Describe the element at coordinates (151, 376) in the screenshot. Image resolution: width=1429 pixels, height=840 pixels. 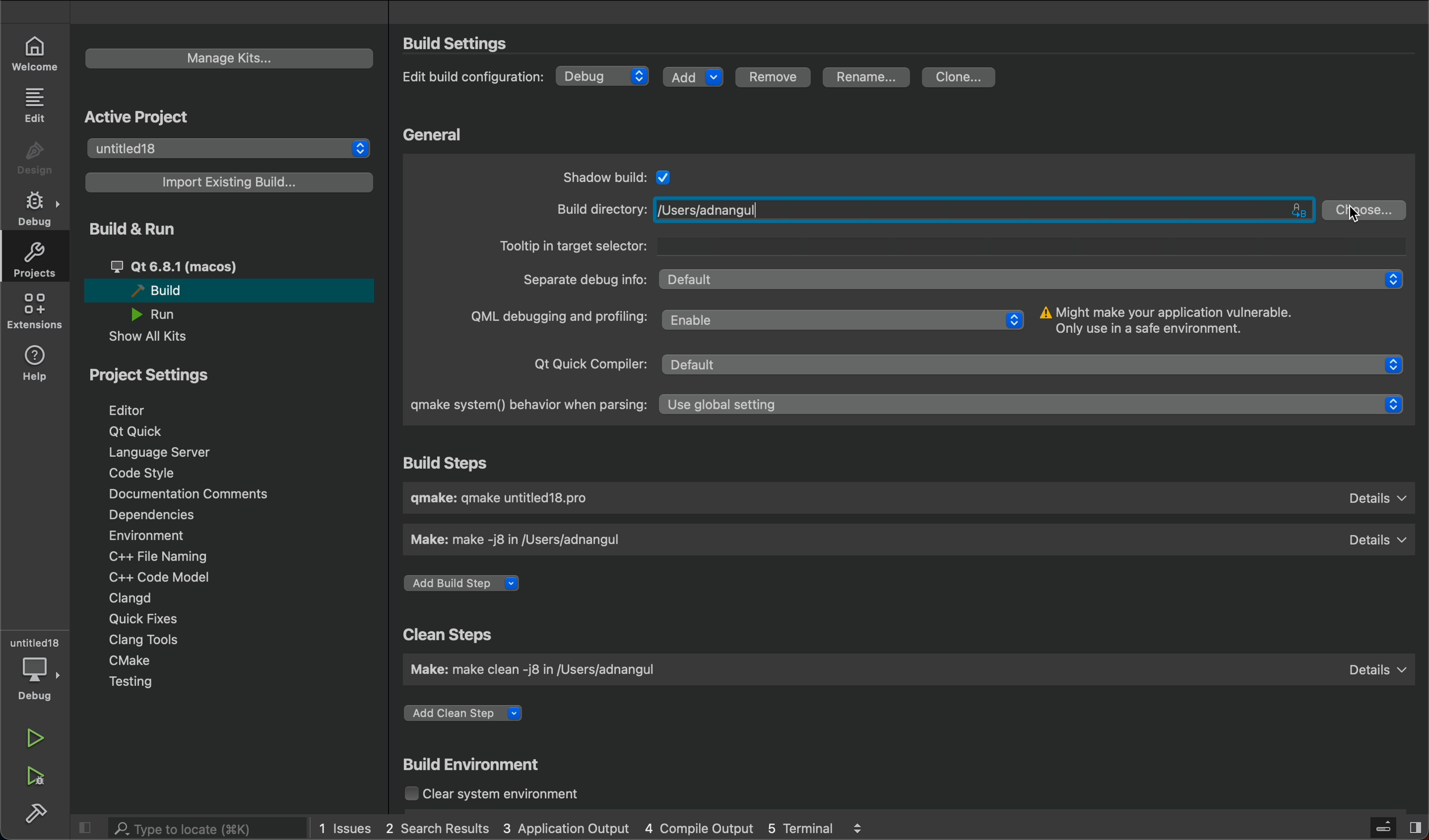
I see `project setting` at that location.